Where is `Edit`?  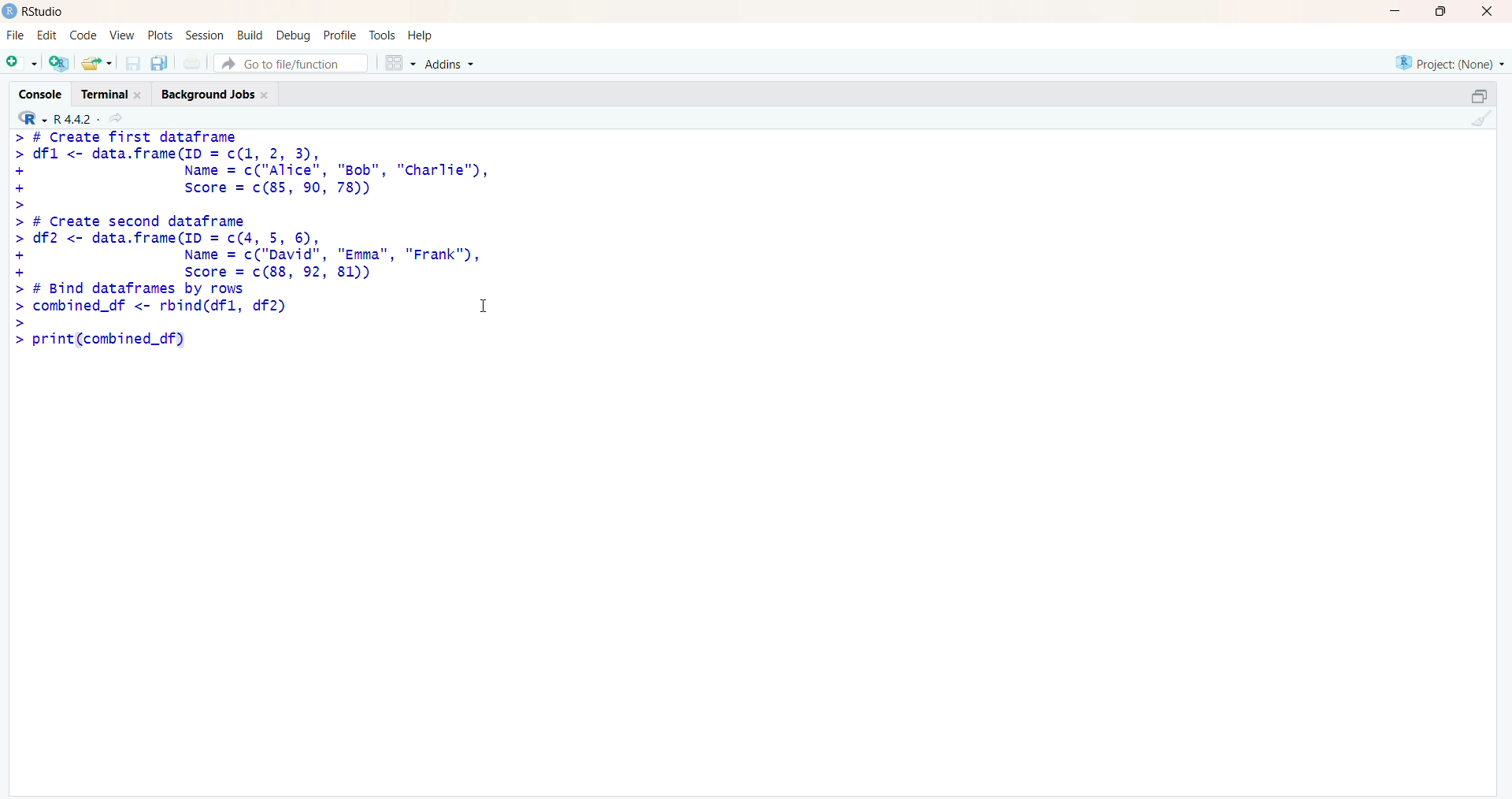 Edit is located at coordinates (50, 34).